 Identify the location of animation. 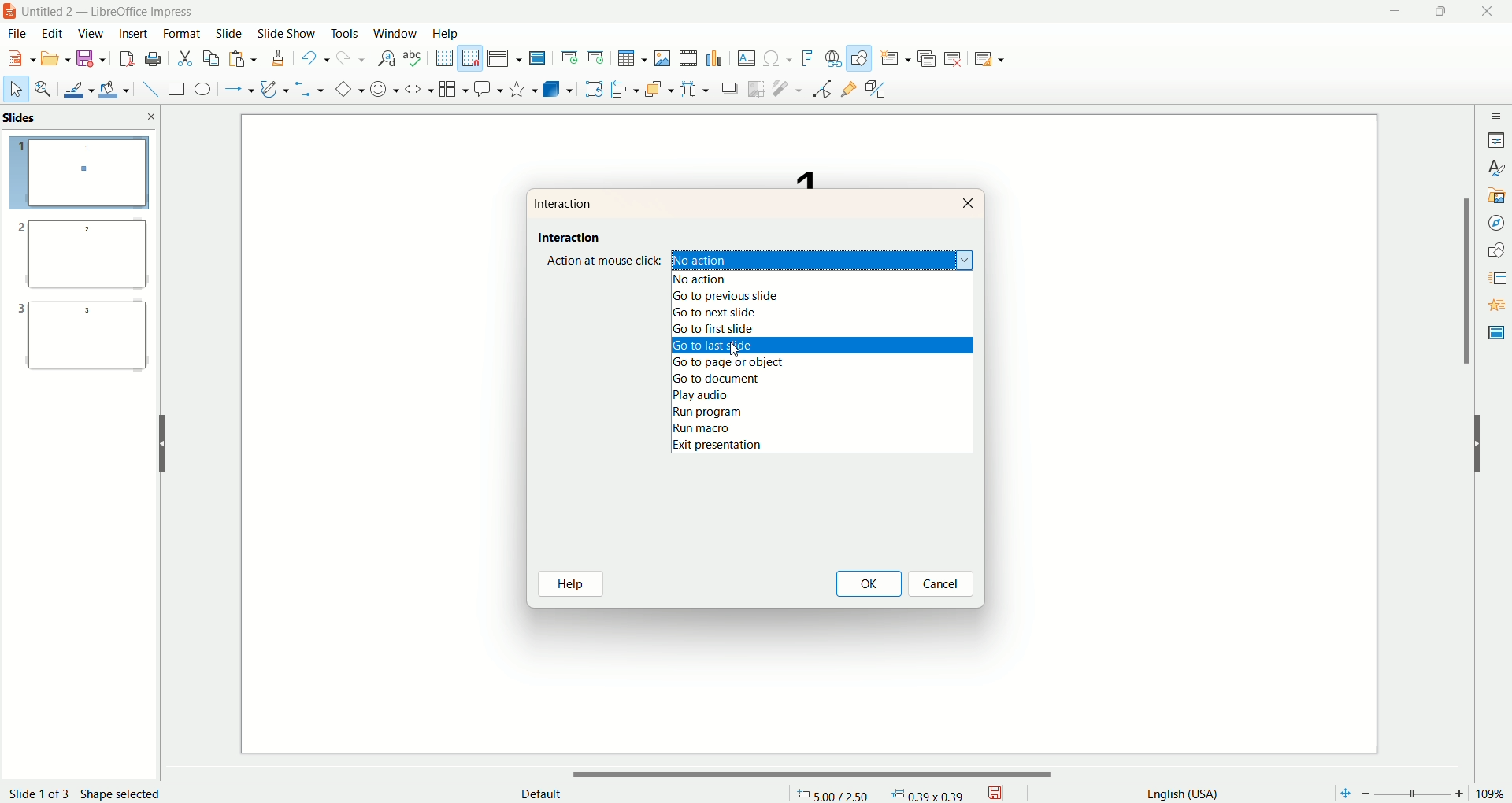
(1495, 305).